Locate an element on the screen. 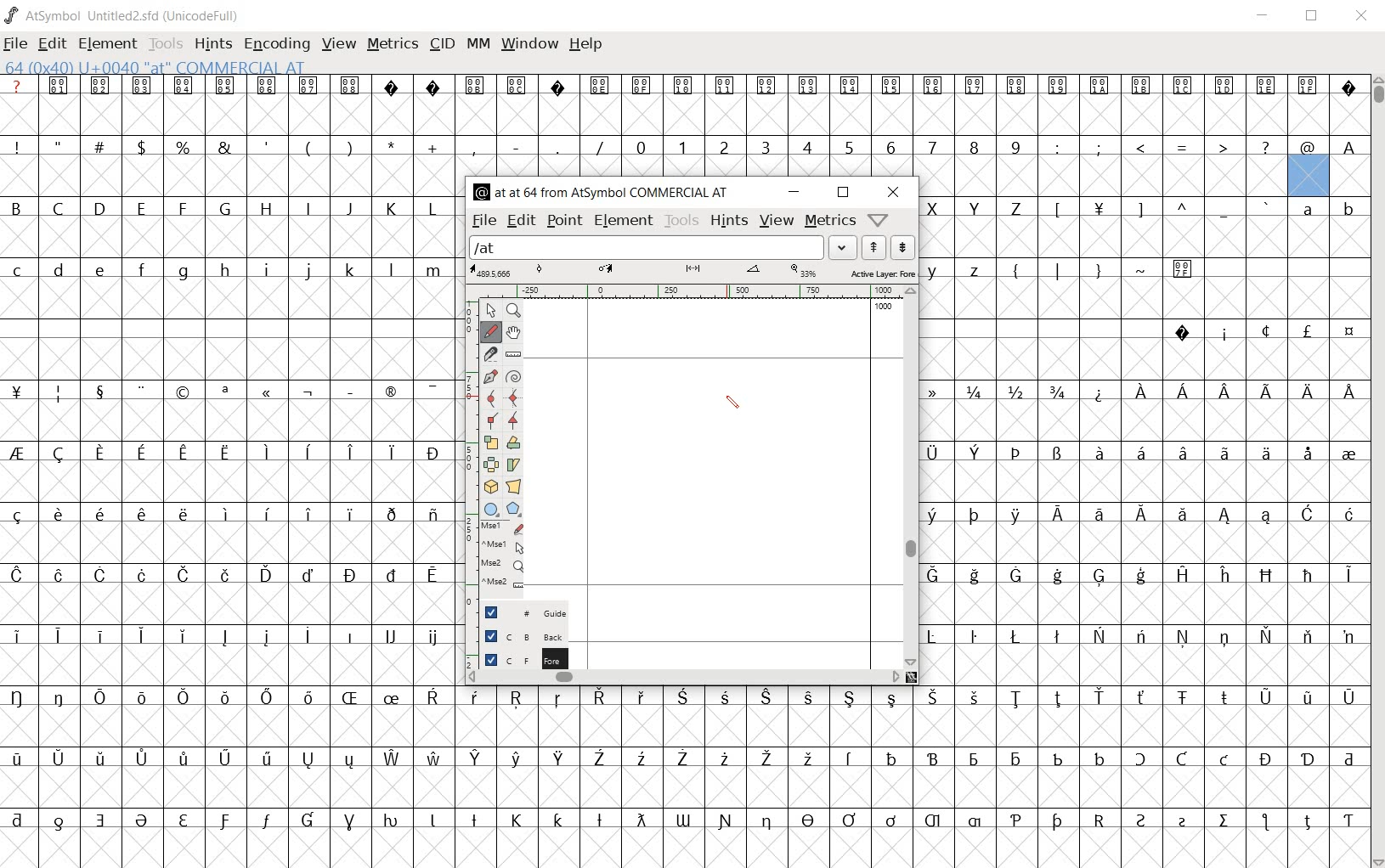 The width and height of the screenshot is (1385, 868). point is located at coordinates (565, 222).